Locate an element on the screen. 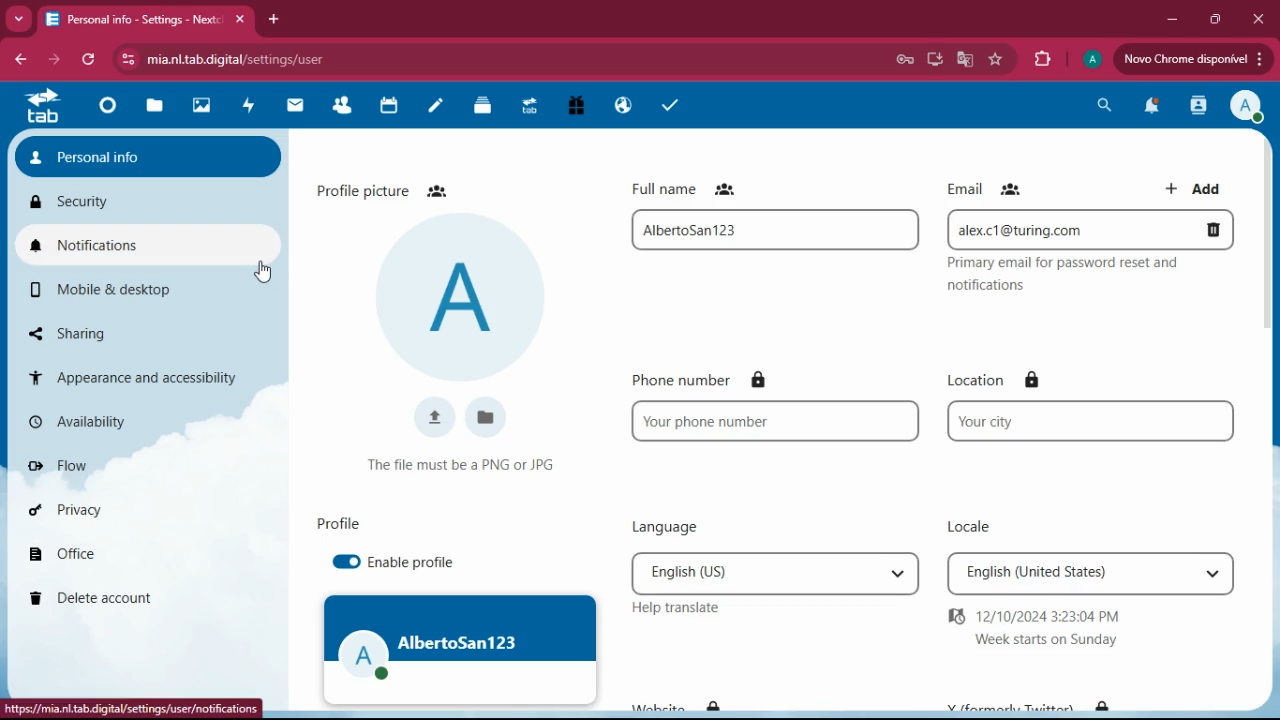  back is located at coordinates (18, 60).